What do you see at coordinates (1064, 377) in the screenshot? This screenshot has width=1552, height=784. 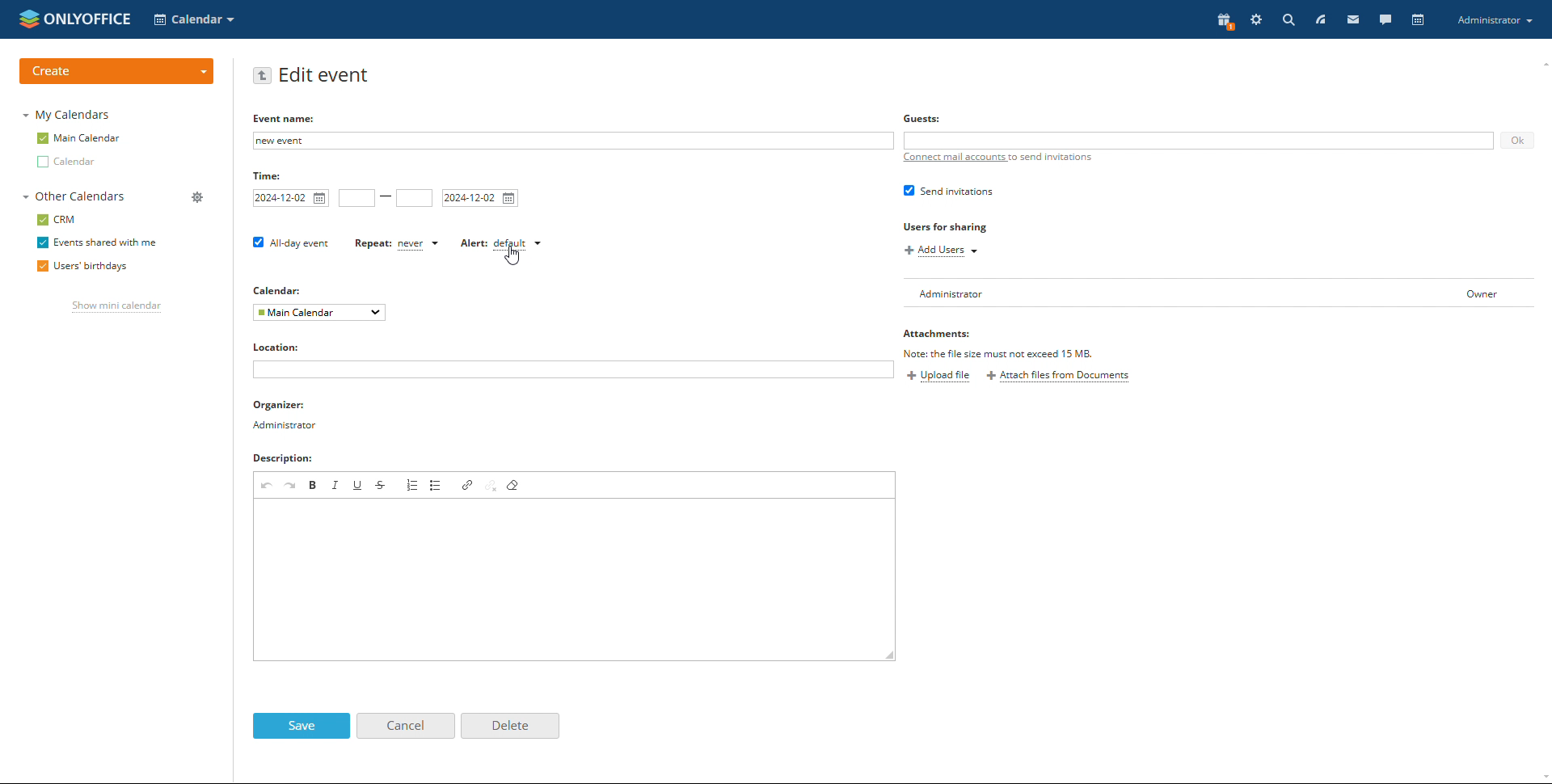 I see `attach files from documents` at bounding box center [1064, 377].